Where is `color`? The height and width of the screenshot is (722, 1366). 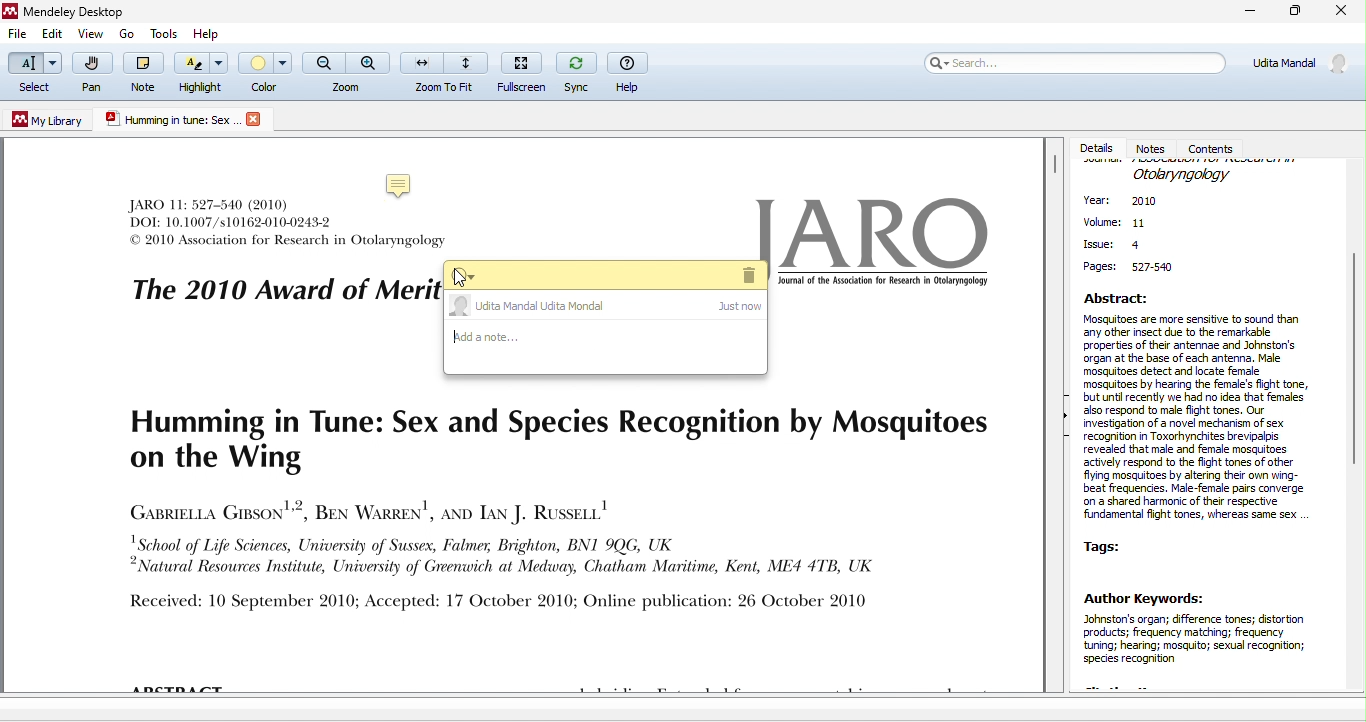
color is located at coordinates (266, 70).